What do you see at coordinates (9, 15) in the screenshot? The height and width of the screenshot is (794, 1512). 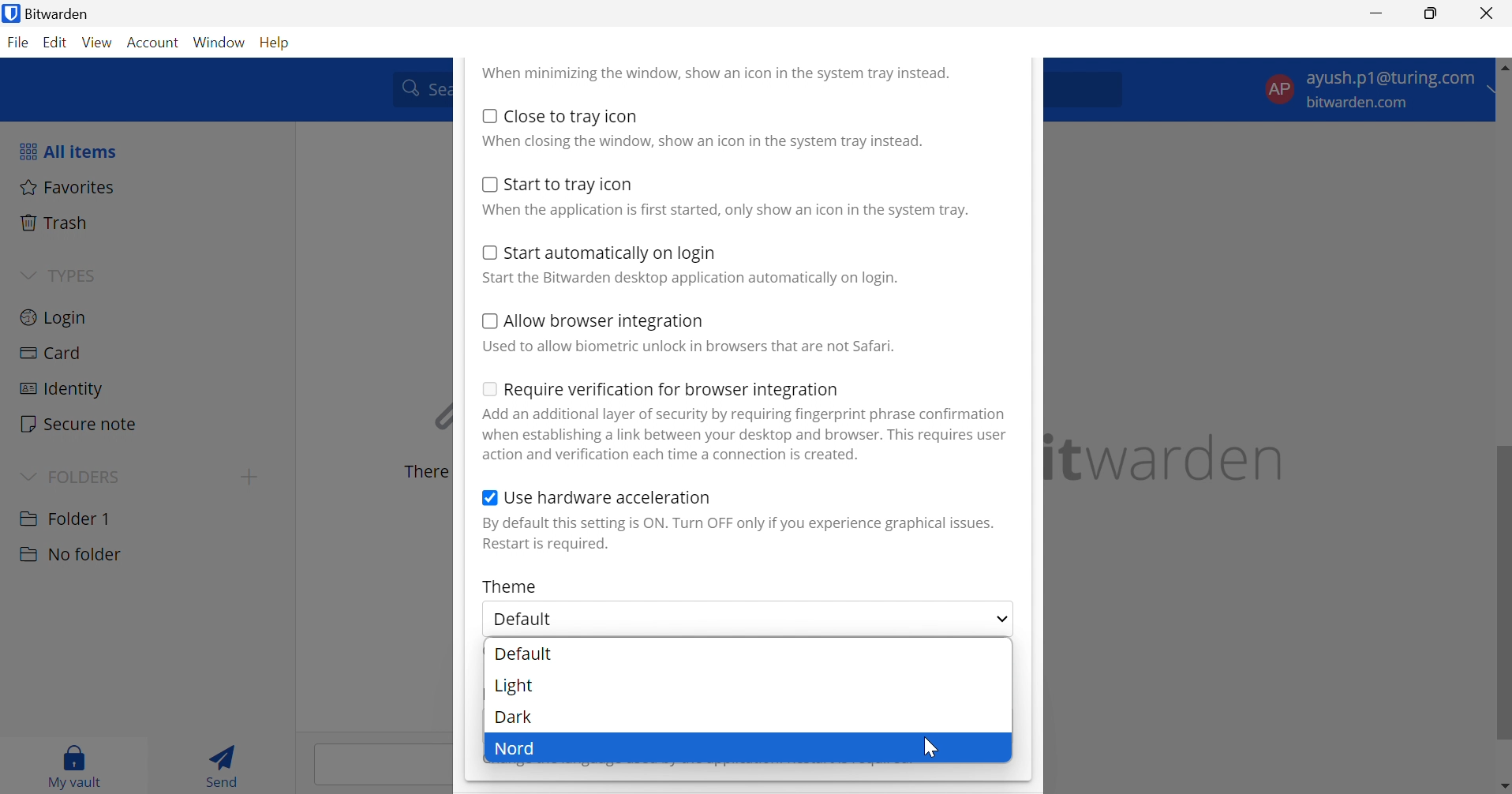 I see `bitwarden logo` at bounding box center [9, 15].